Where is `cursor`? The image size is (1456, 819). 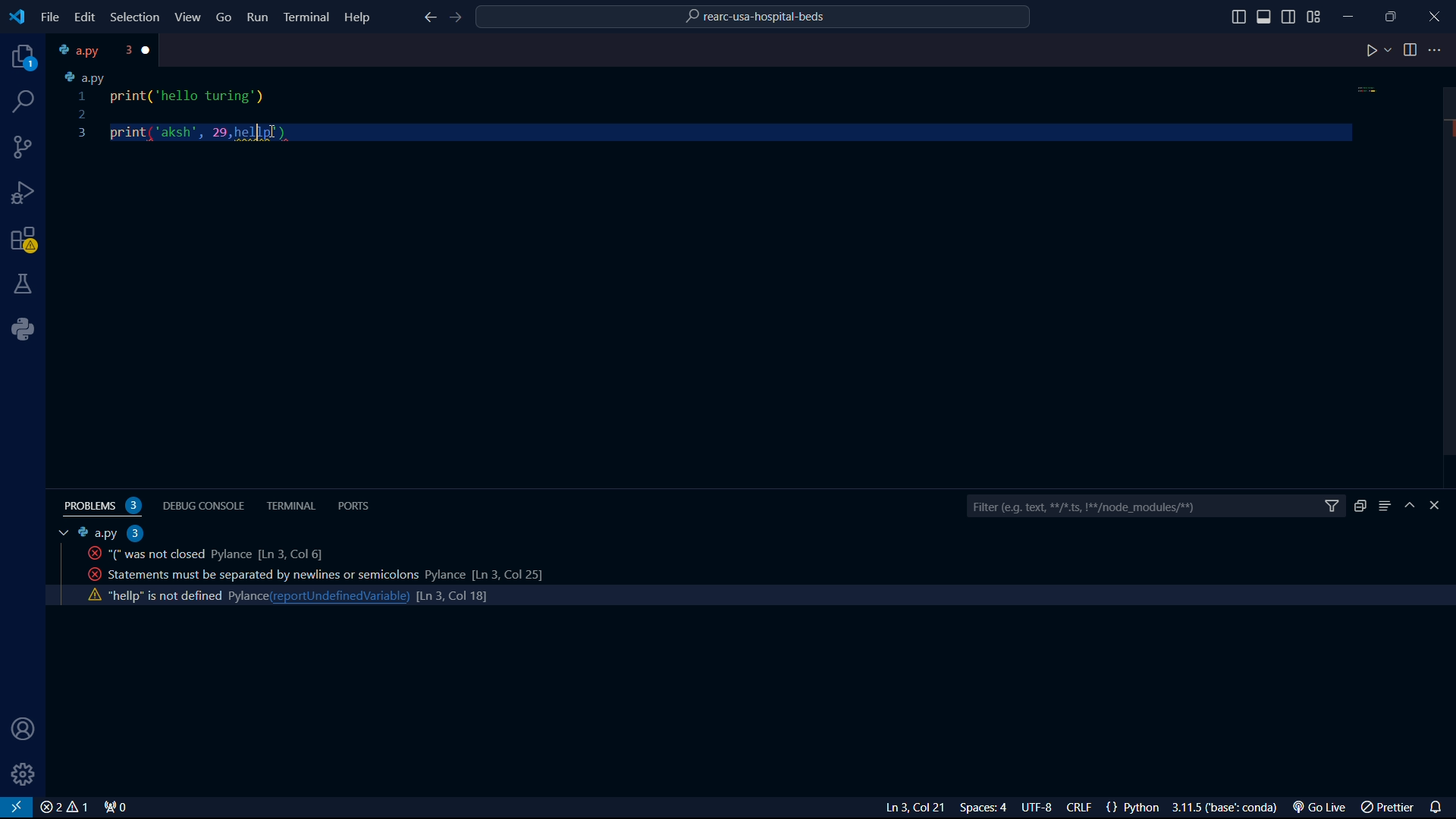
cursor is located at coordinates (275, 134).